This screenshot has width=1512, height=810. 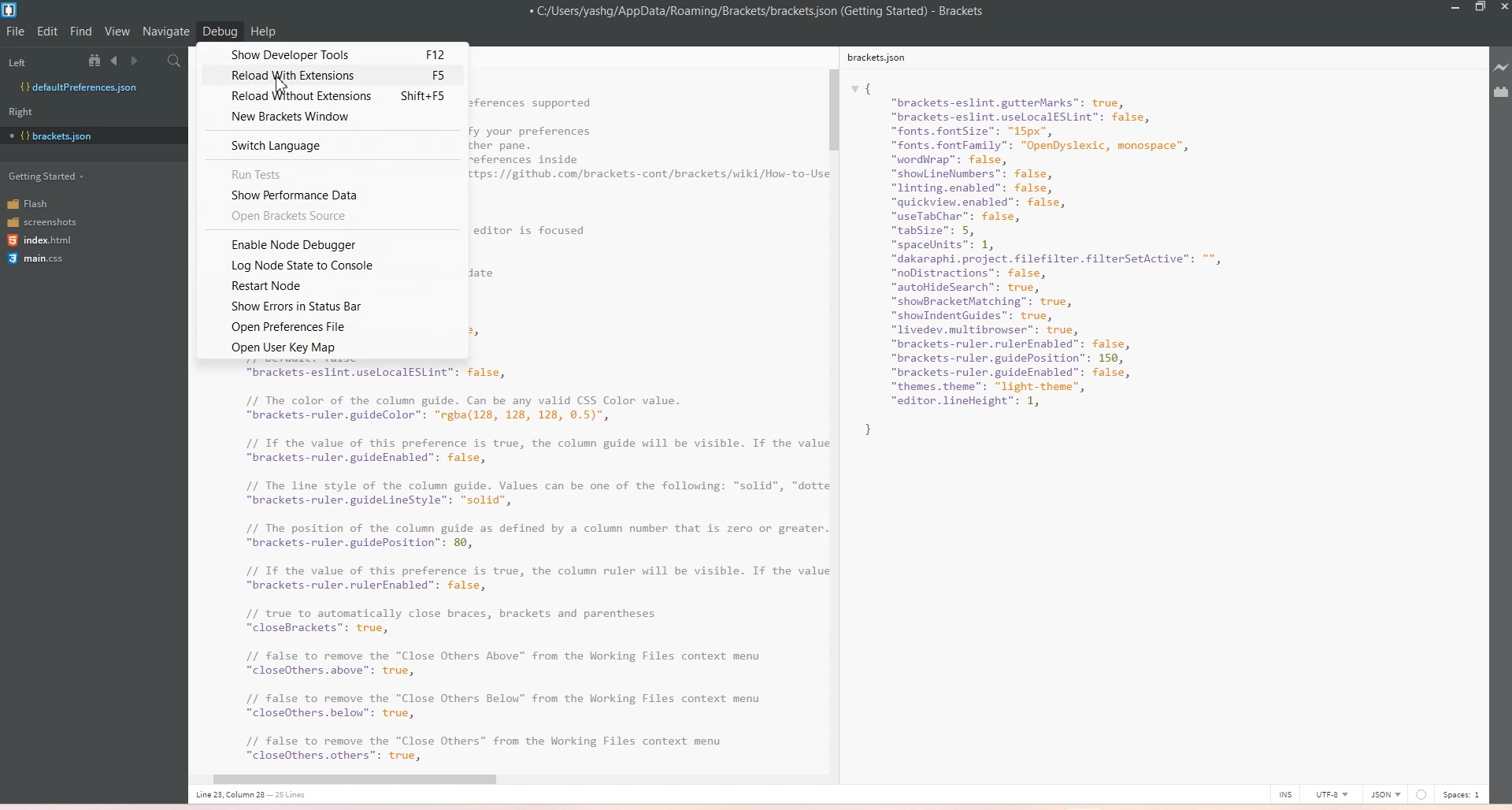 What do you see at coordinates (26, 111) in the screenshot?
I see `Right` at bounding box center [26, 111].